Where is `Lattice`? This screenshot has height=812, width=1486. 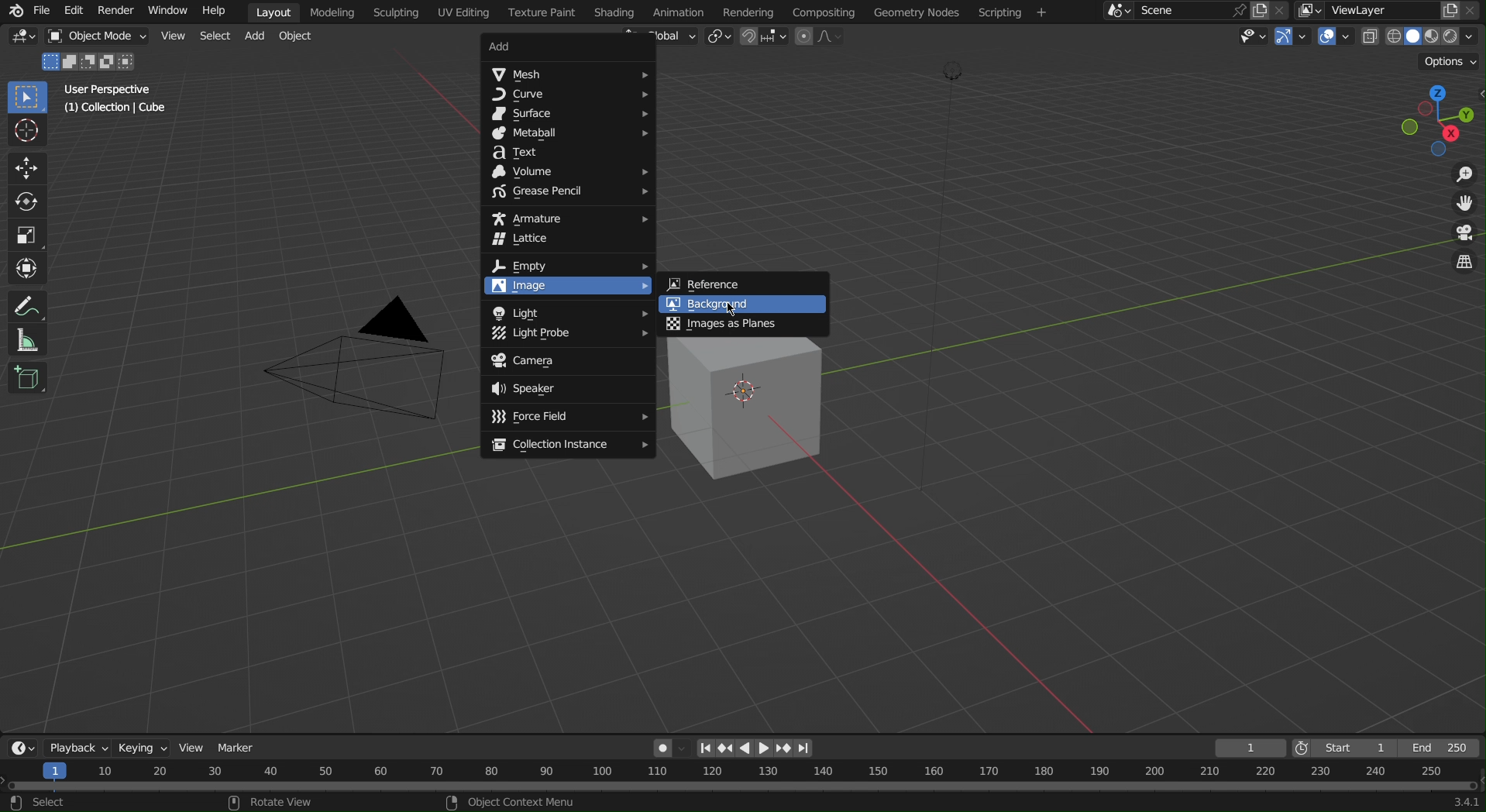 Lattice is located at coordinates (566, 240).